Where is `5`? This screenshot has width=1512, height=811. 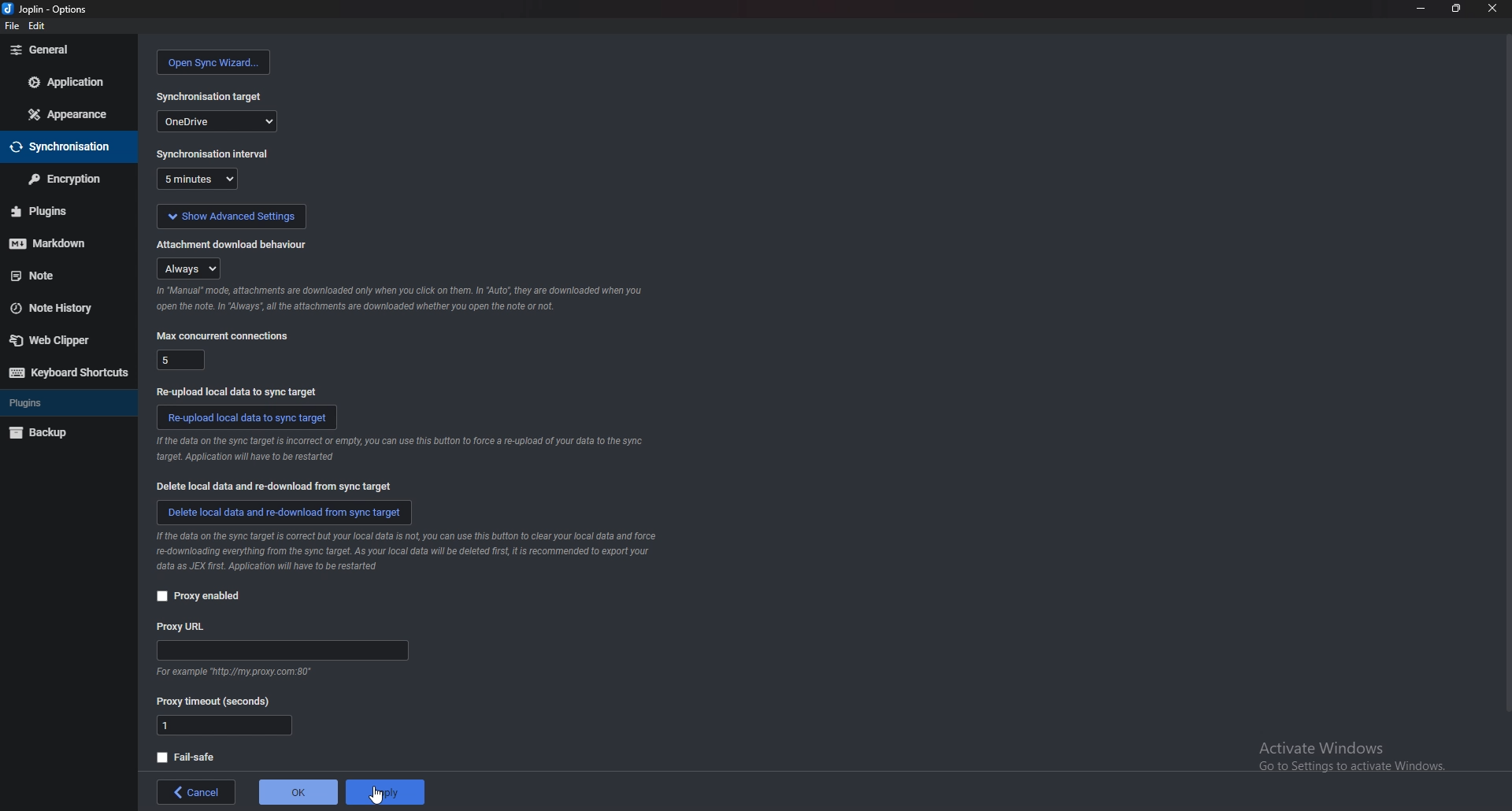
5 is located at coordinates (180, 360).